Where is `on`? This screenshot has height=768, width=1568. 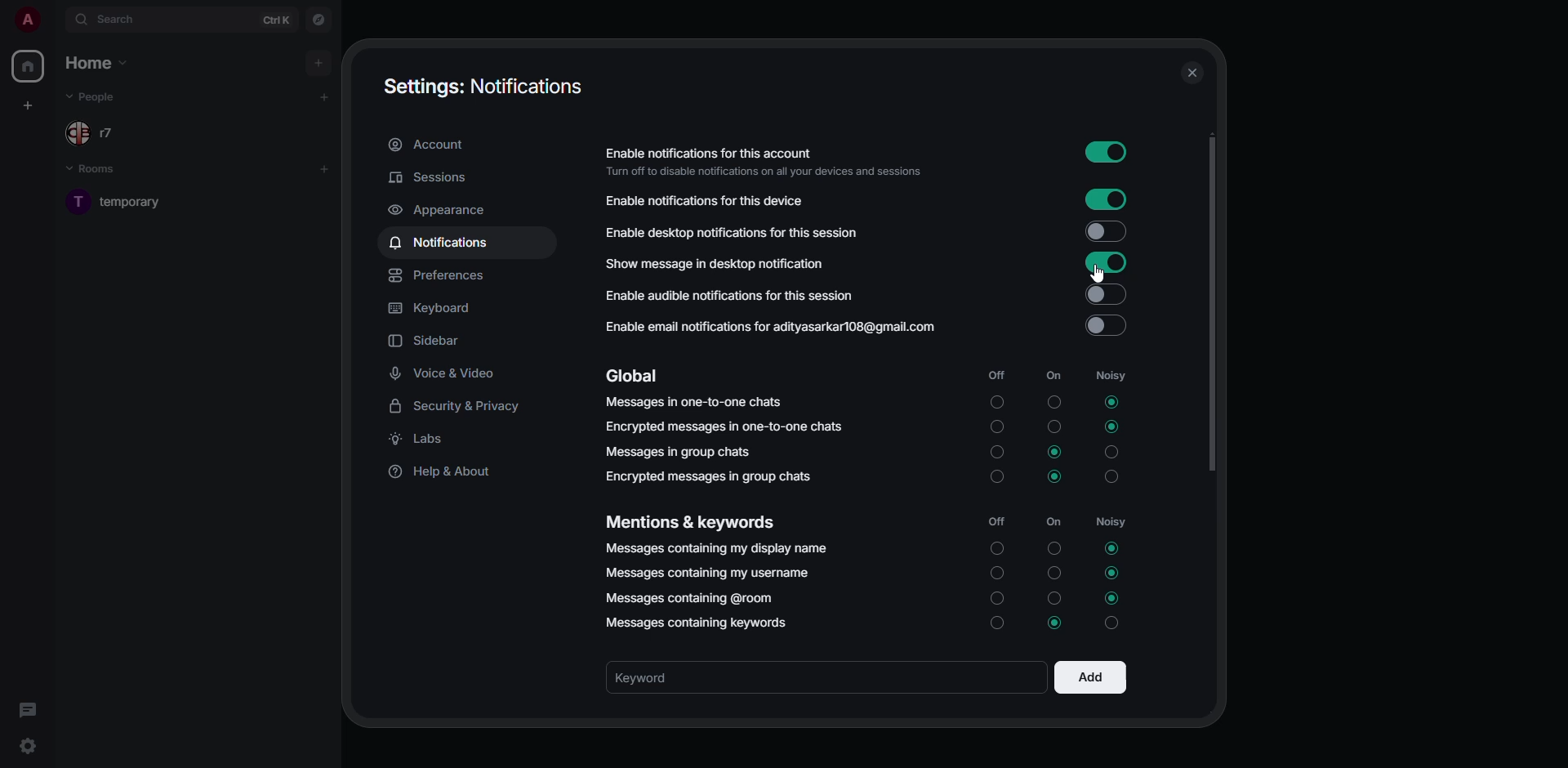
on is located at coordinates (1056, 522).